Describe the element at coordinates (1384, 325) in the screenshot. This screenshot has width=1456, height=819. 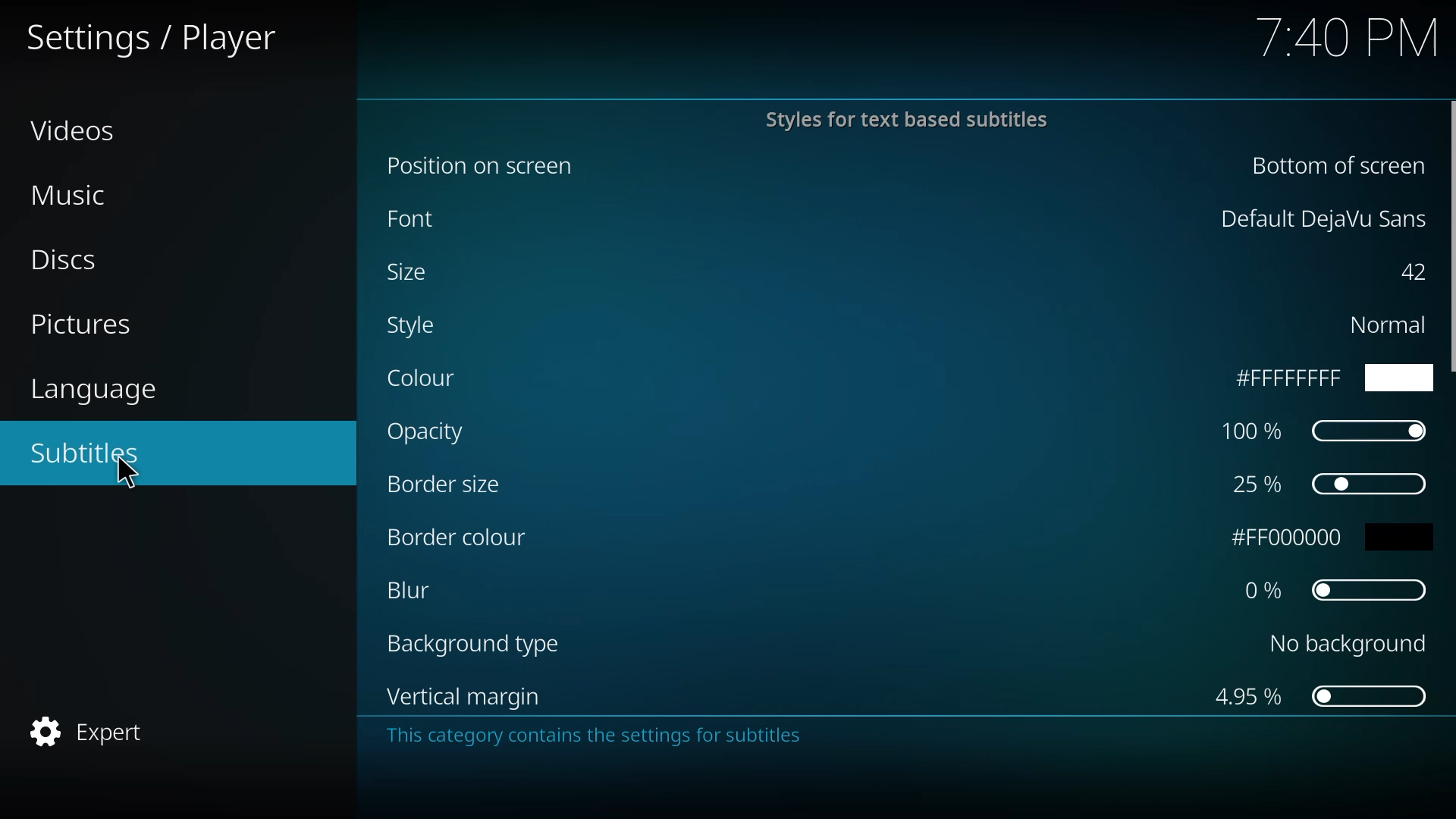
I see `normal` at that location.